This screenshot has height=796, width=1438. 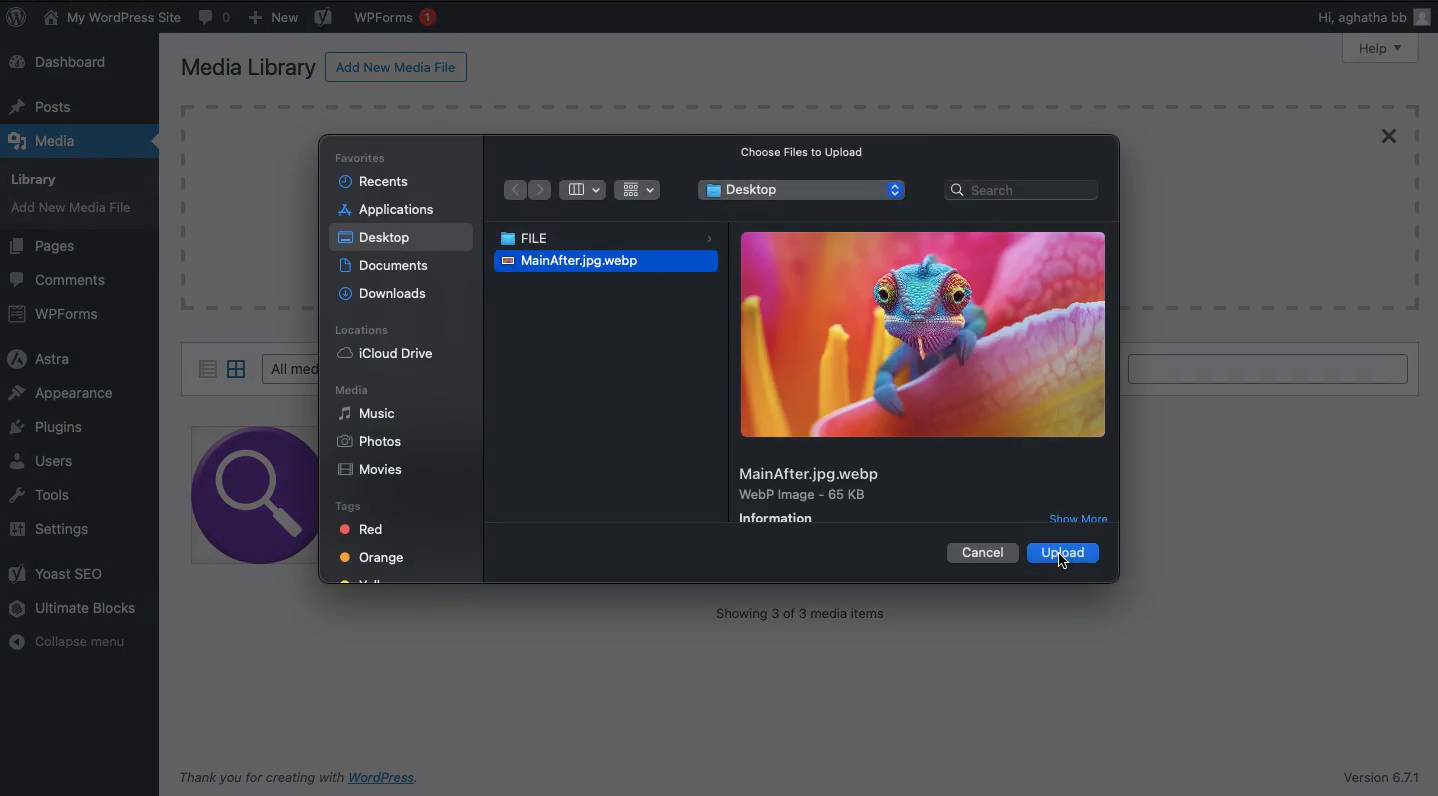 I want to click on Hi users, so click(x=1376, y=18).